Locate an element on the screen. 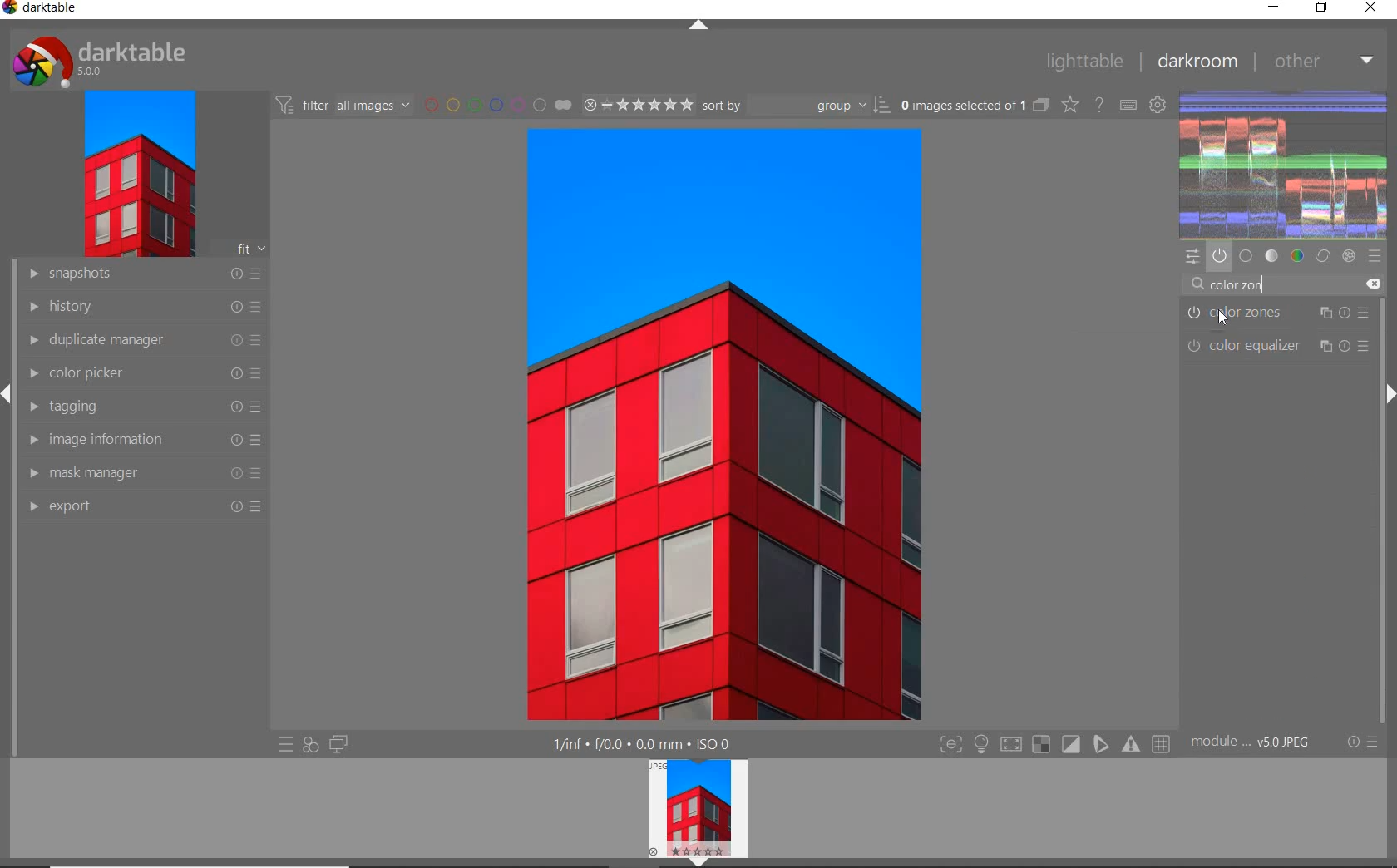 This screenshot has width=1397, height=868. enable for online help is located at coordinates (1100, 104).